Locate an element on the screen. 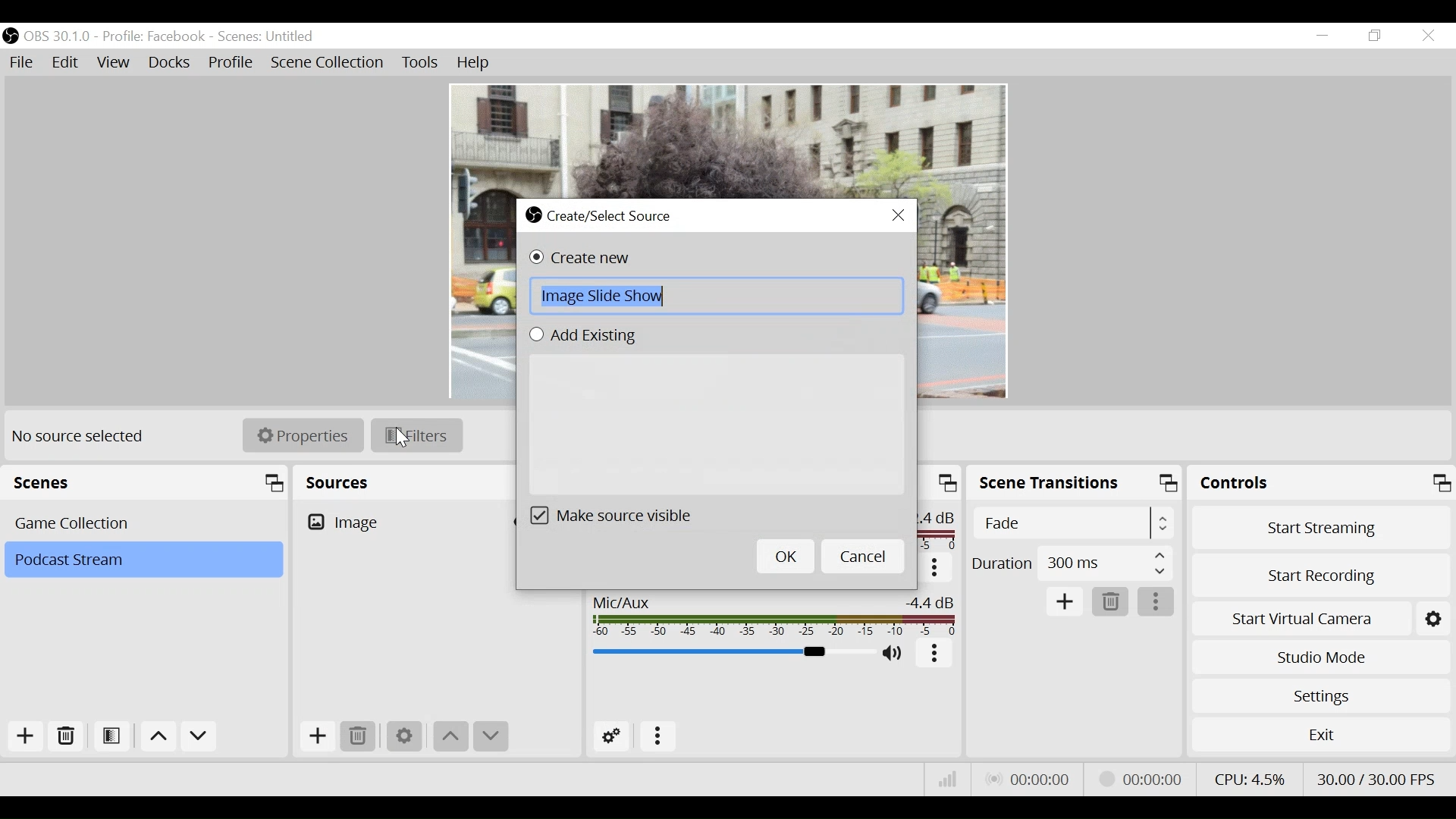 The width and height of the screenshot is (1456, 819). File is located at coordinates (24, 63).